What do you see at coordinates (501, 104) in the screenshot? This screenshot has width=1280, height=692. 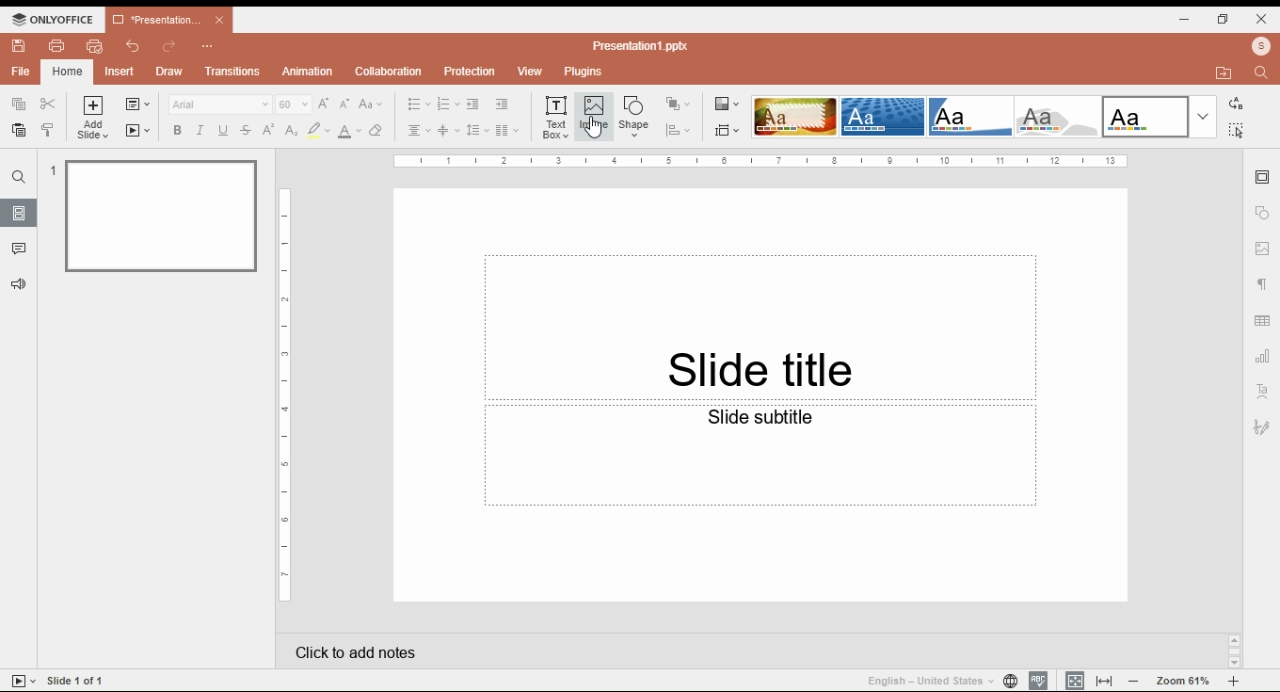 I see `decrease indent` at bounding box center [501, 104].